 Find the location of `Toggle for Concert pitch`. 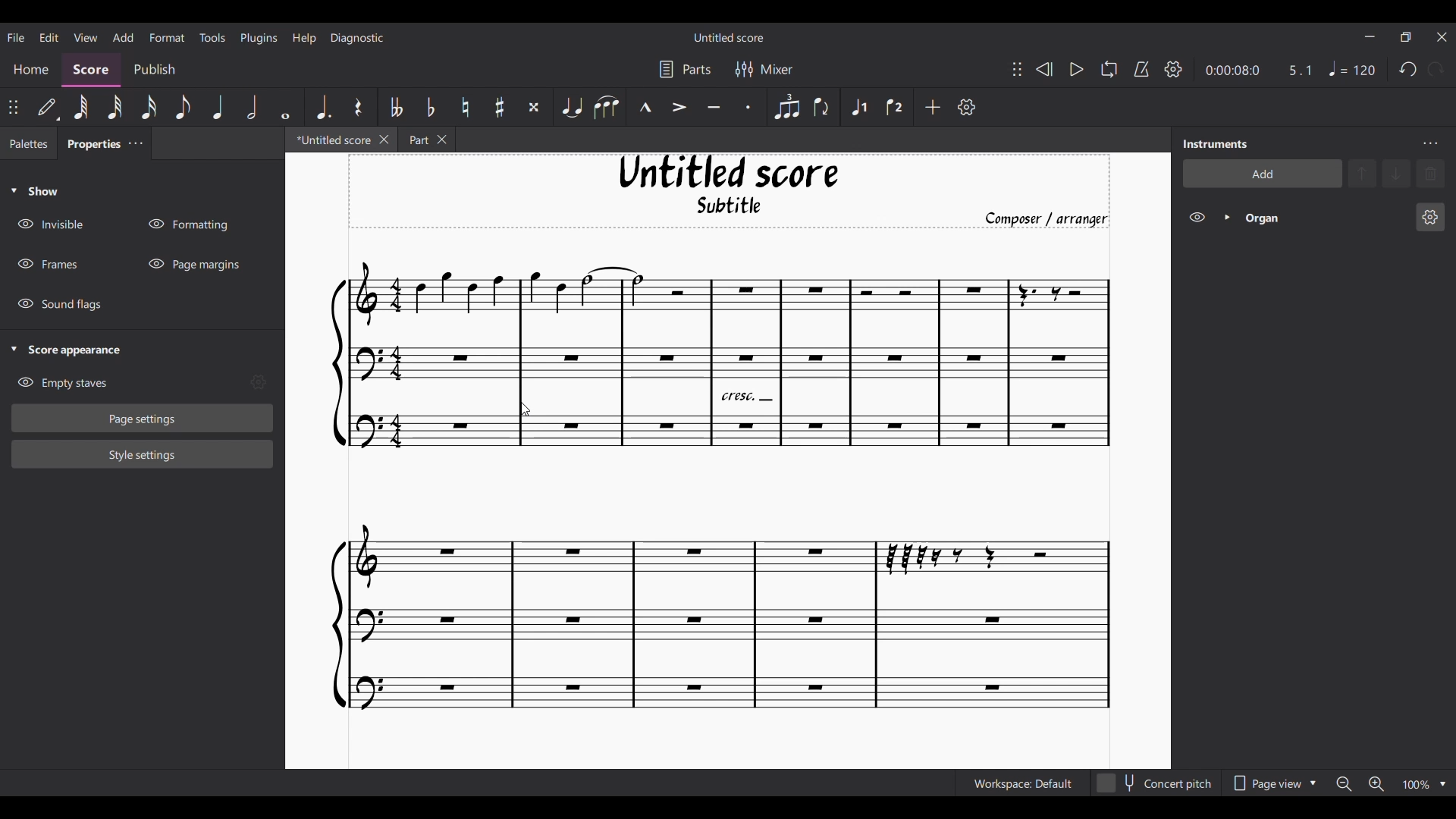

Toggle for Concert pitch is located at coordinates (1155, 783).